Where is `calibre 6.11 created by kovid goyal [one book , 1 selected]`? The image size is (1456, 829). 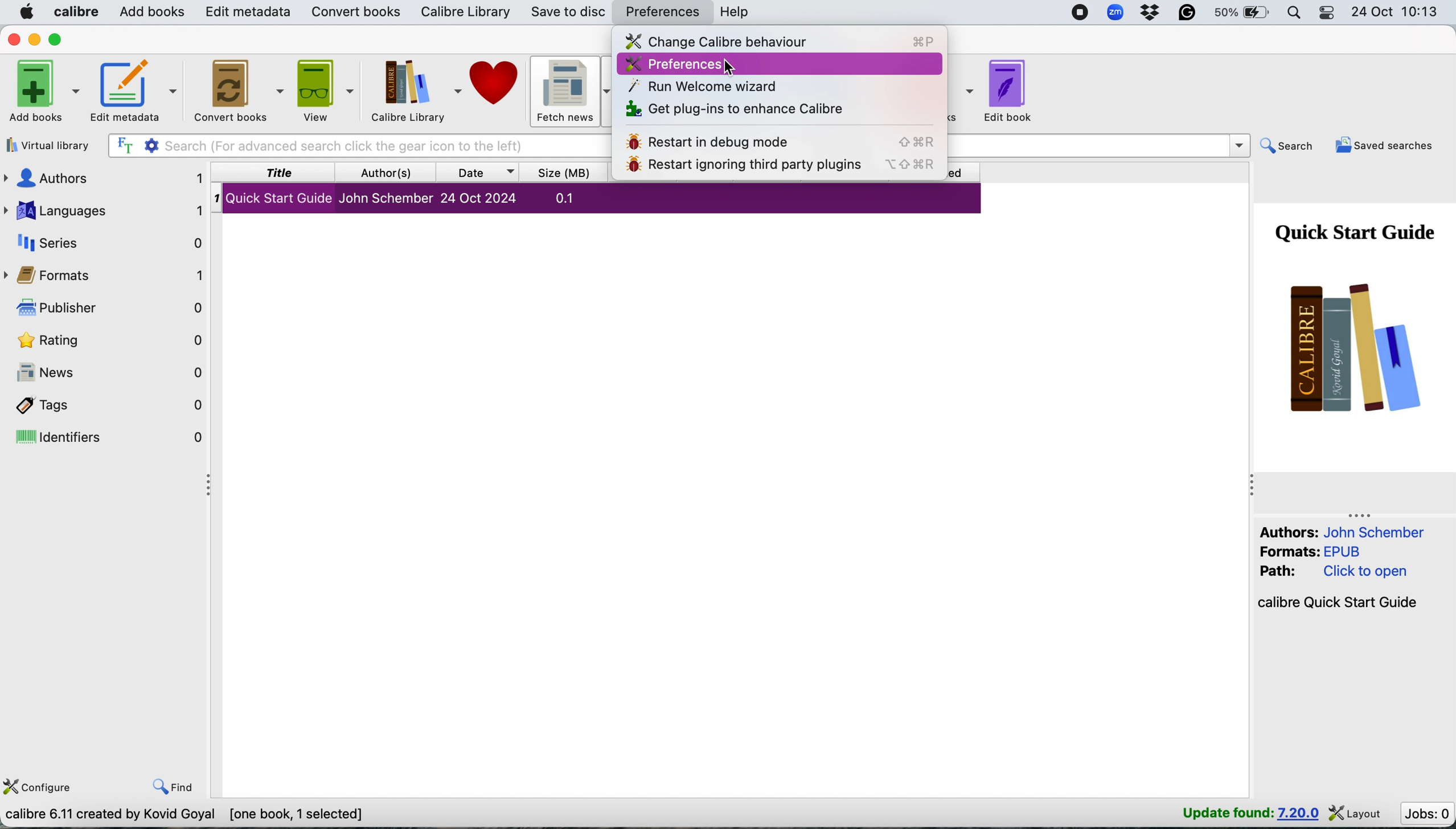
calibre 6.11 created by kovid goyal [one book , 1 selected] is located at coordinates (190, 814).